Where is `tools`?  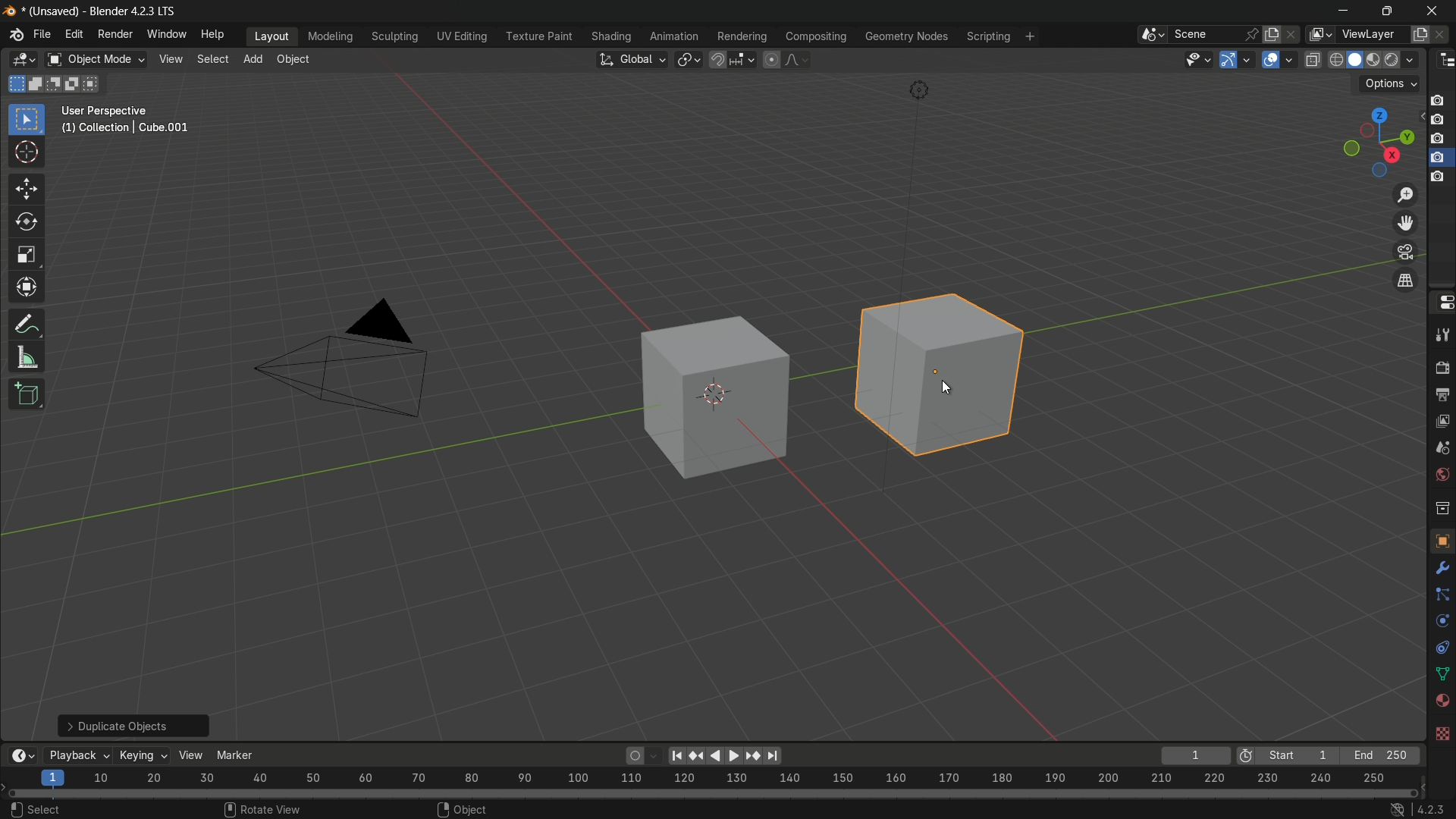
tools is located at coordinates (1442, 335).